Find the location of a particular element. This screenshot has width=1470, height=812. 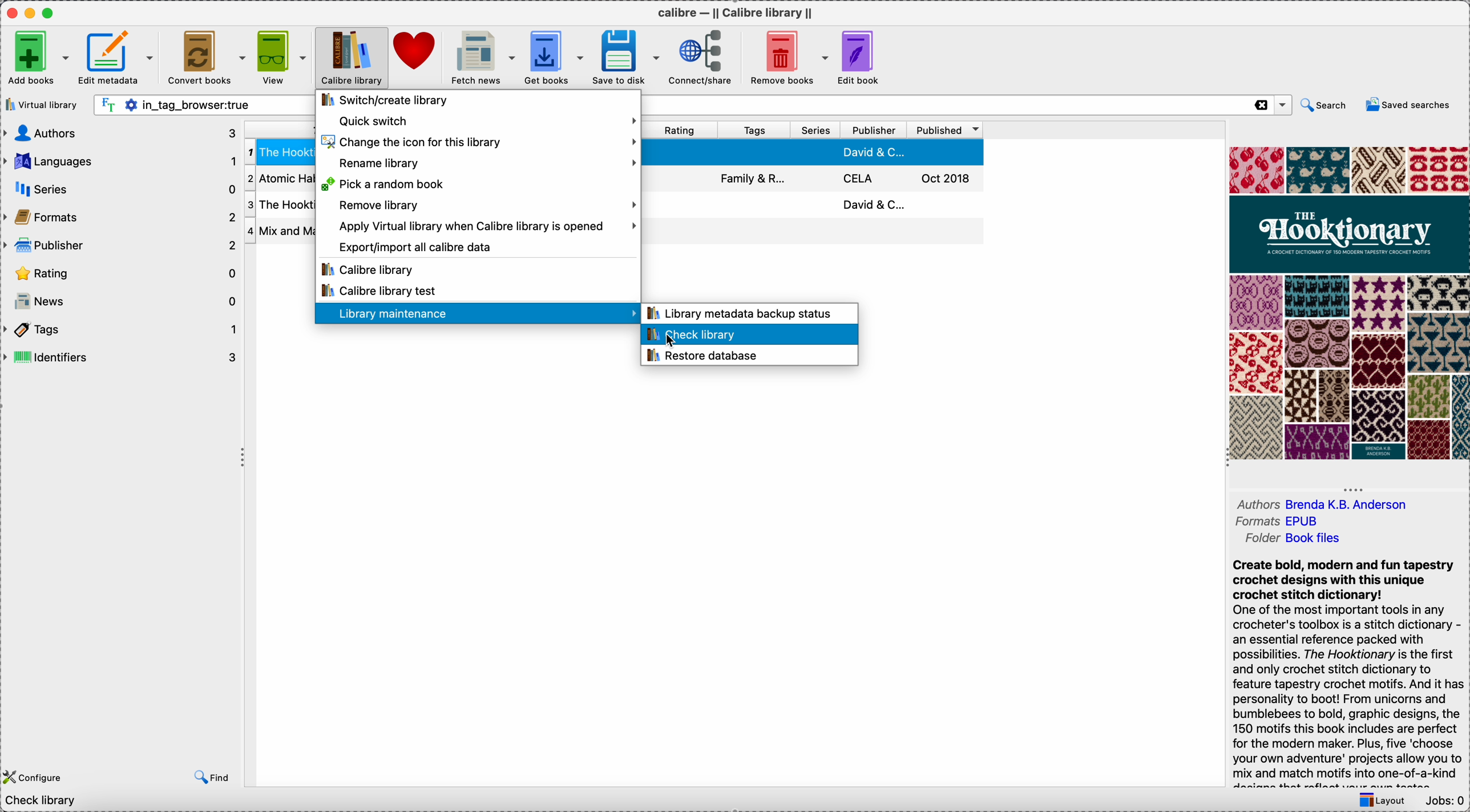

export/import all calibre data is located at coordinates (415, 244).